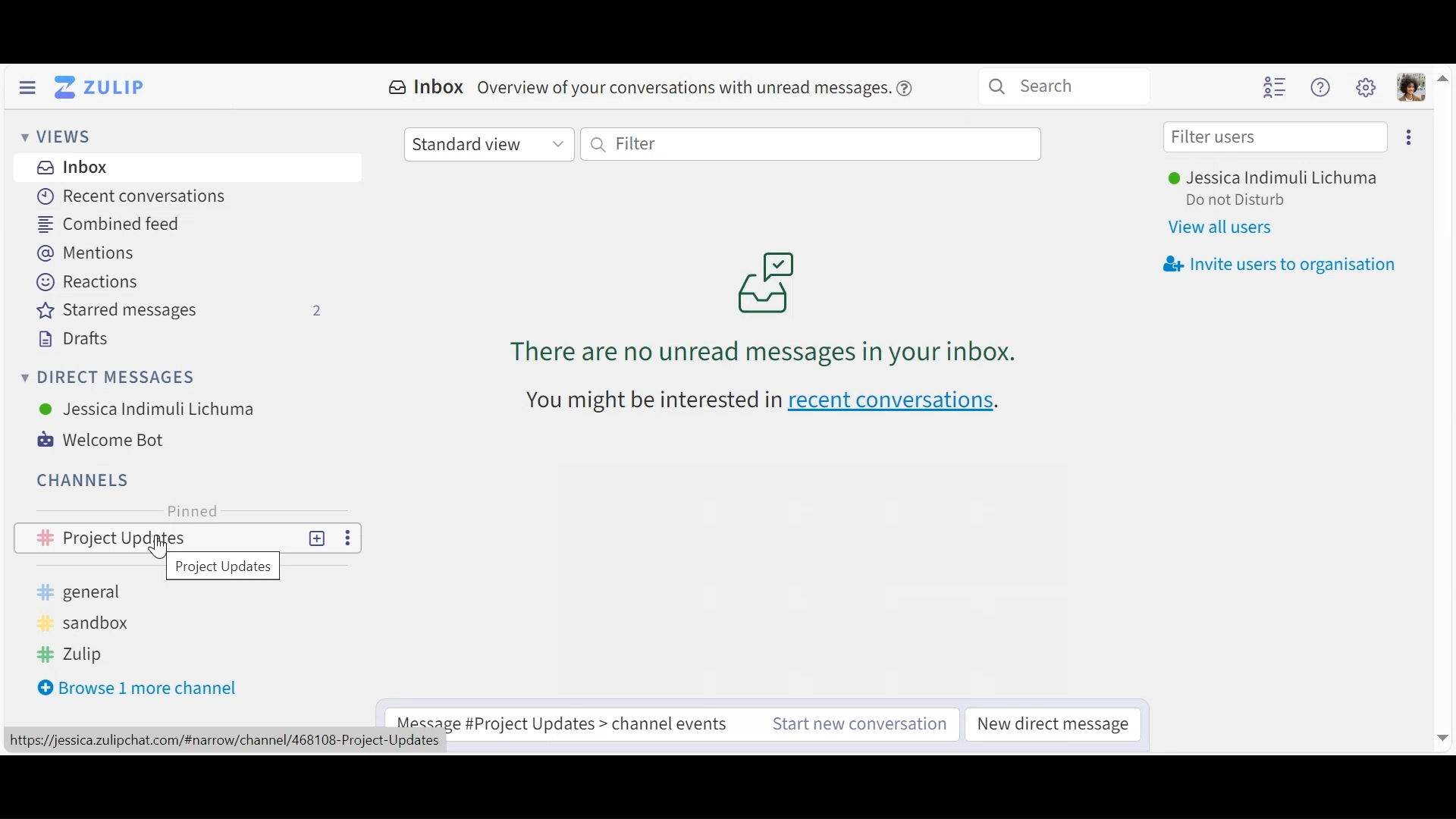  What do you see at coordinates (1320, 88) in the screenshot?
I see `Help menu` at bounding box center [1320, 88].